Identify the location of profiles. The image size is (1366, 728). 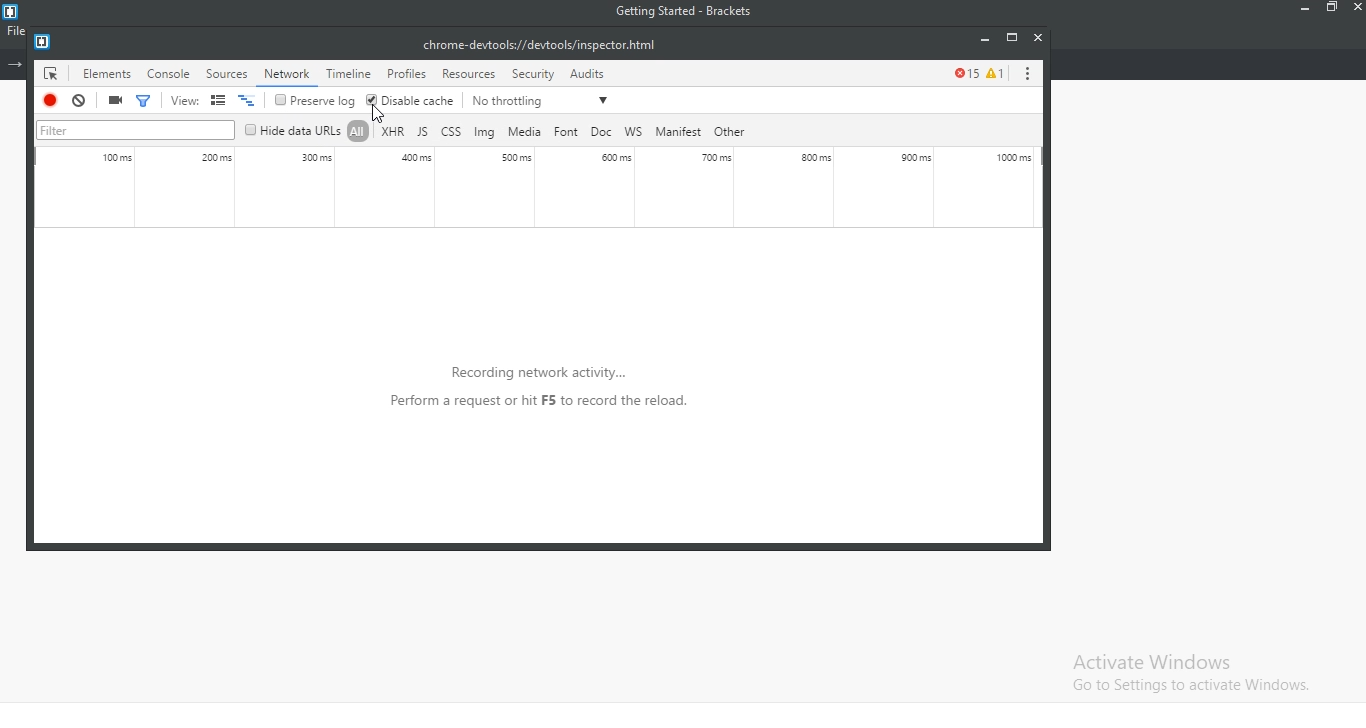
(405, 75).